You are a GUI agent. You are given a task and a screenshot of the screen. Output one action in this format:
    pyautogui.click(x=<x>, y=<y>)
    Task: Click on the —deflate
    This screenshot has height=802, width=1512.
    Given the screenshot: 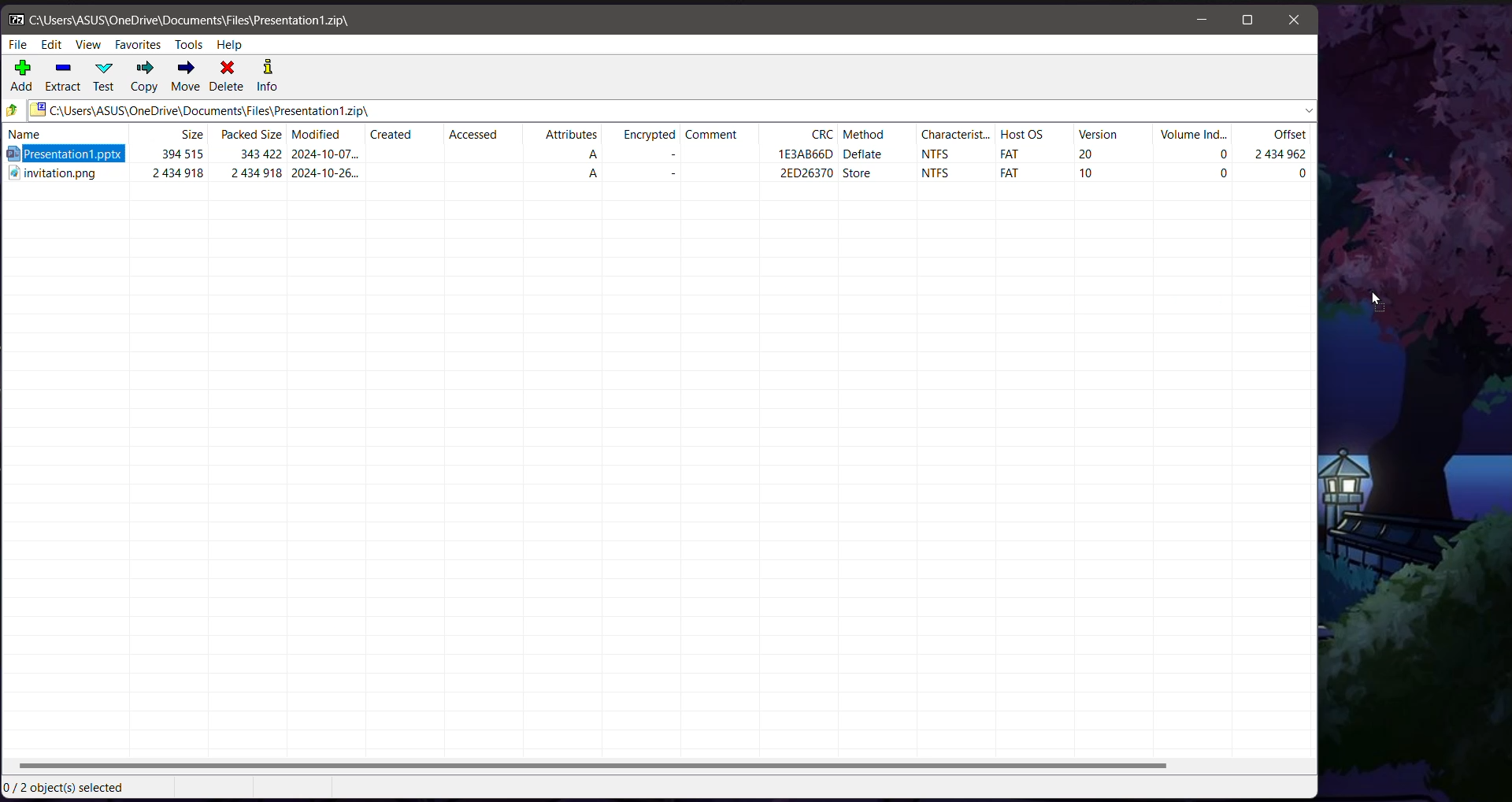 What is the action you would take?
    pyautogui.click(x=875, y=155)
    